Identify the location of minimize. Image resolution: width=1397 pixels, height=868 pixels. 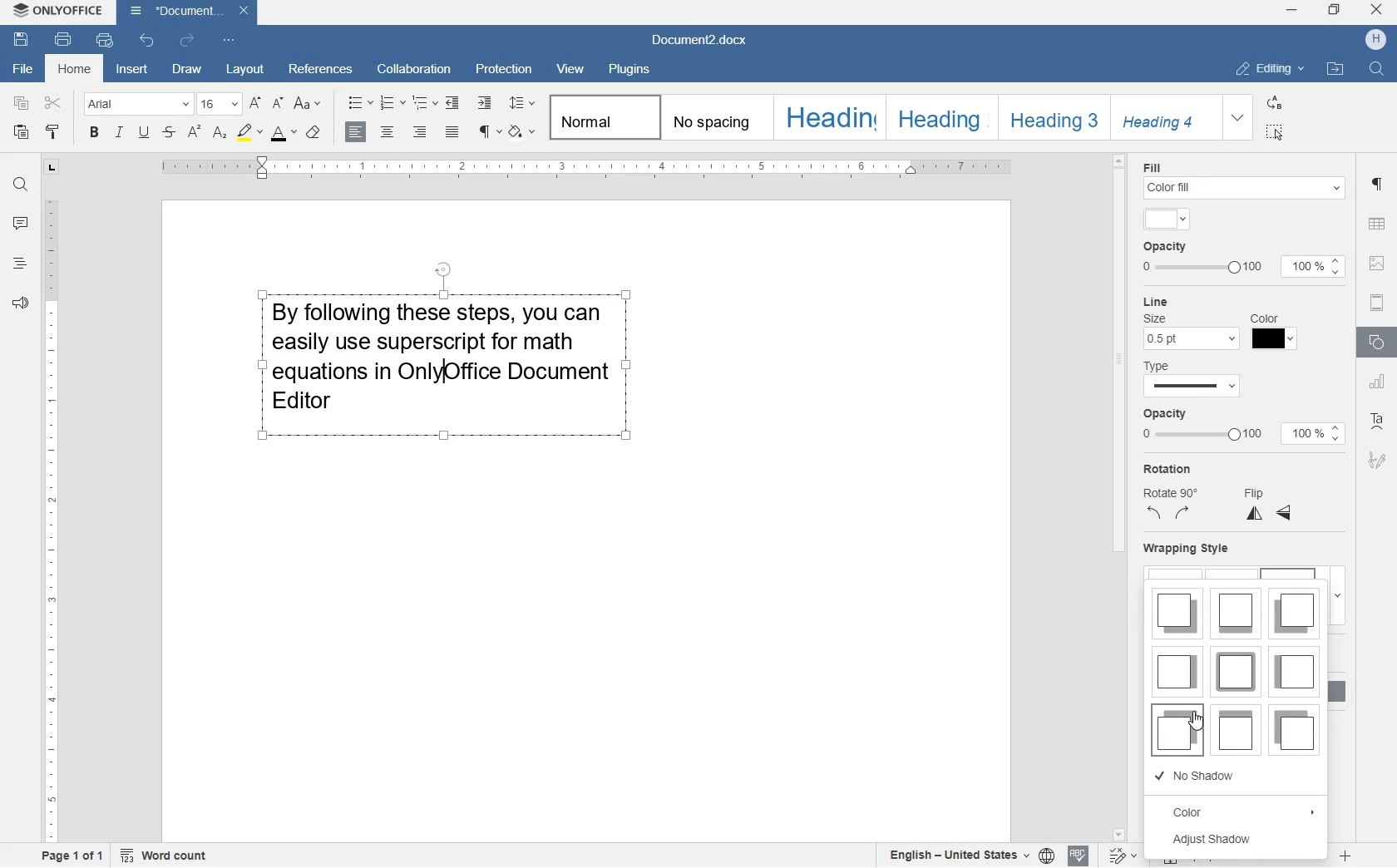
(1291, 8).